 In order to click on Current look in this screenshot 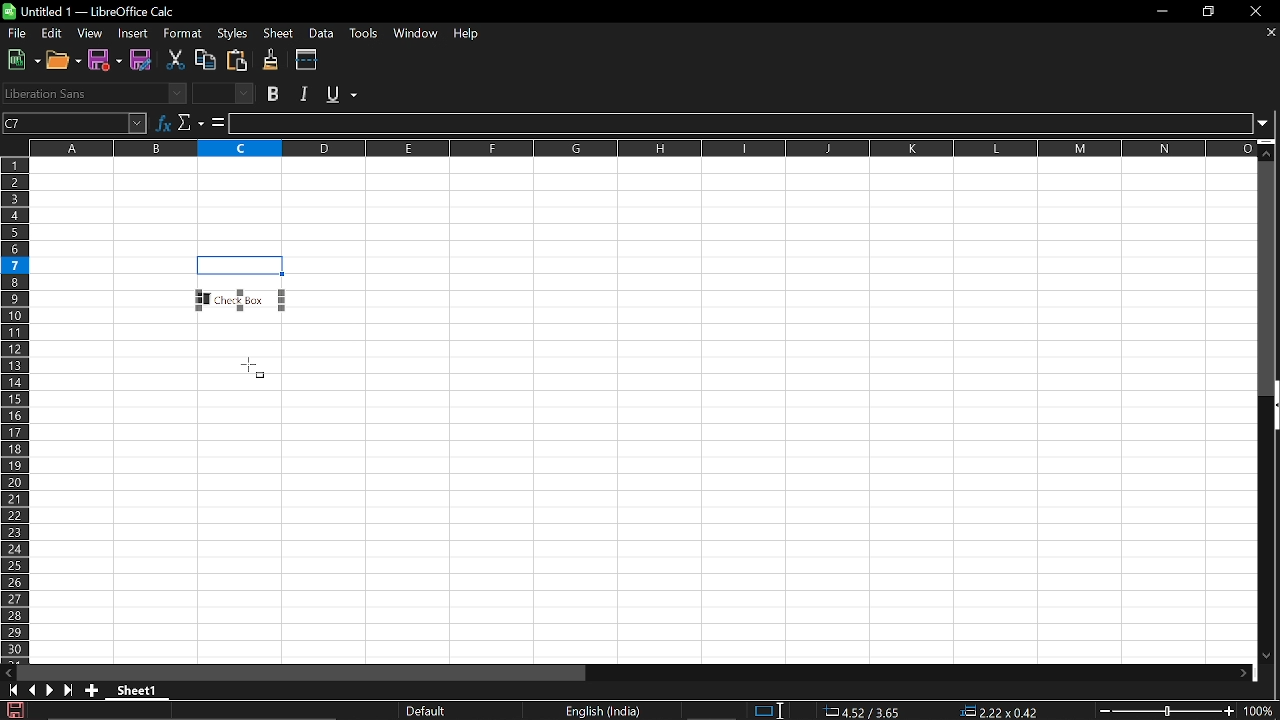, I will do `click(428, 711)`.